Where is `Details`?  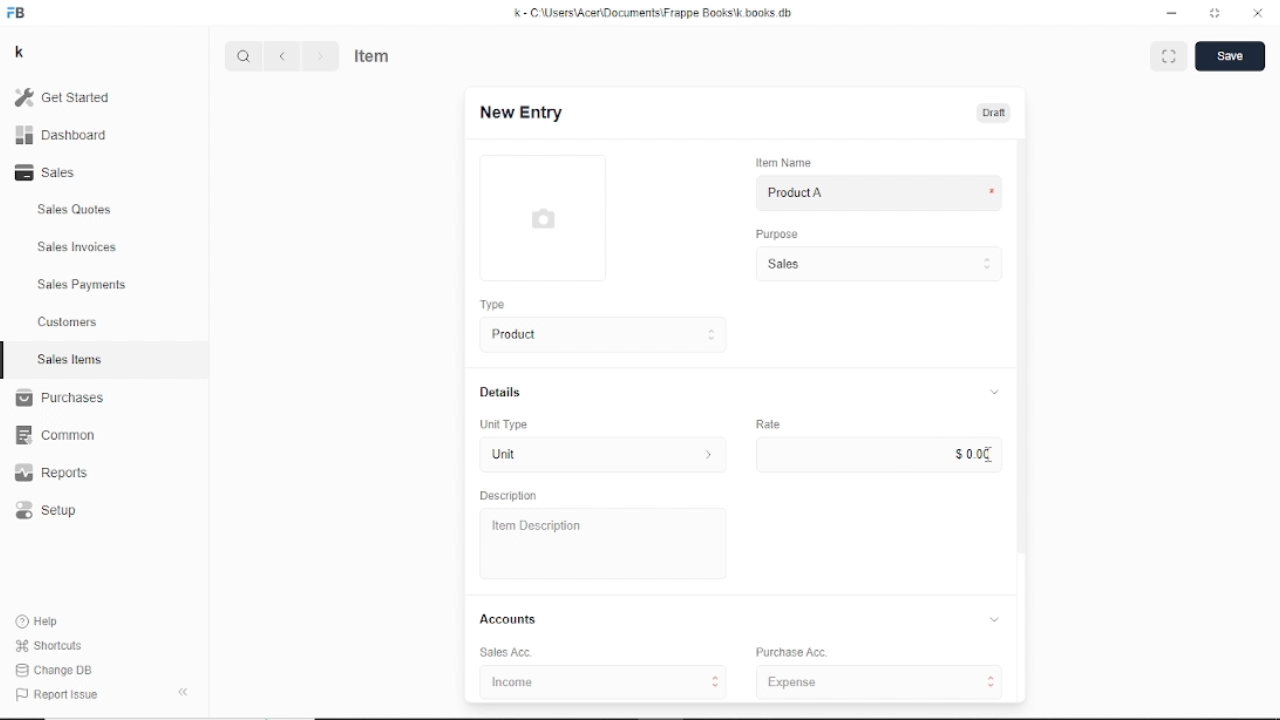 Details is located at coordinates (739, 392).